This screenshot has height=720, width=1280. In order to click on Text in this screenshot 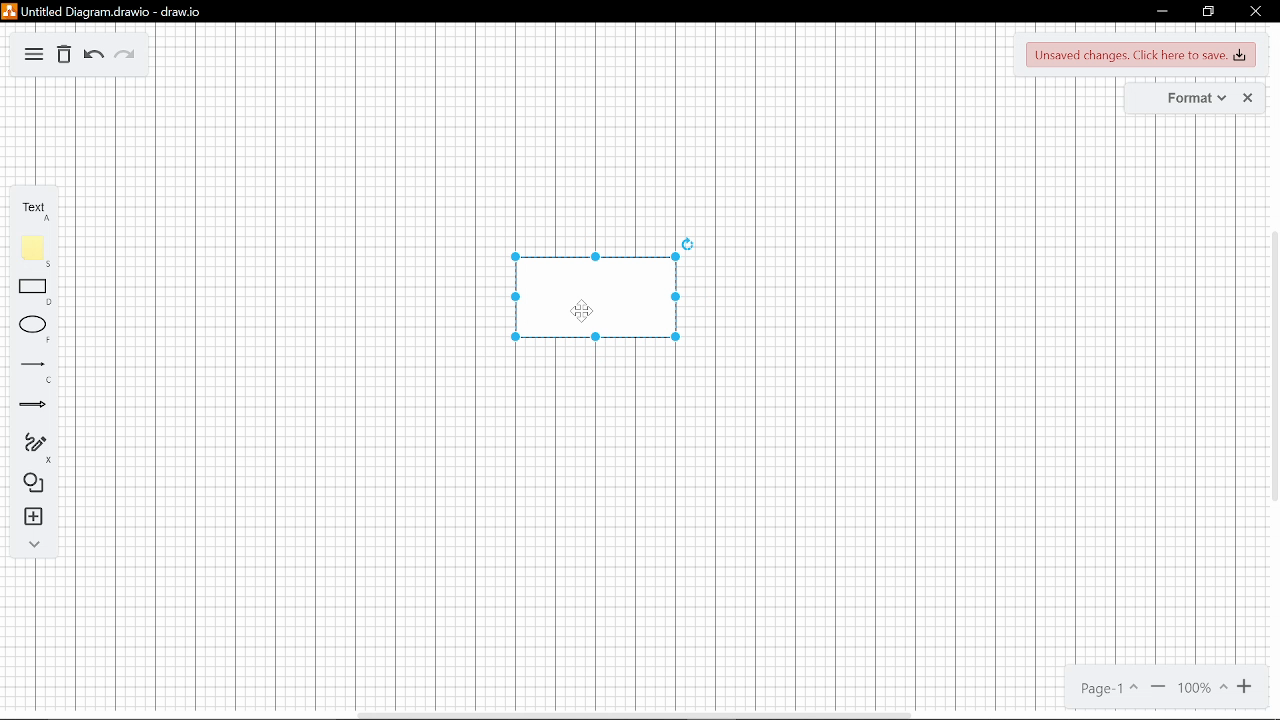, I will do `click(38, 204)`.